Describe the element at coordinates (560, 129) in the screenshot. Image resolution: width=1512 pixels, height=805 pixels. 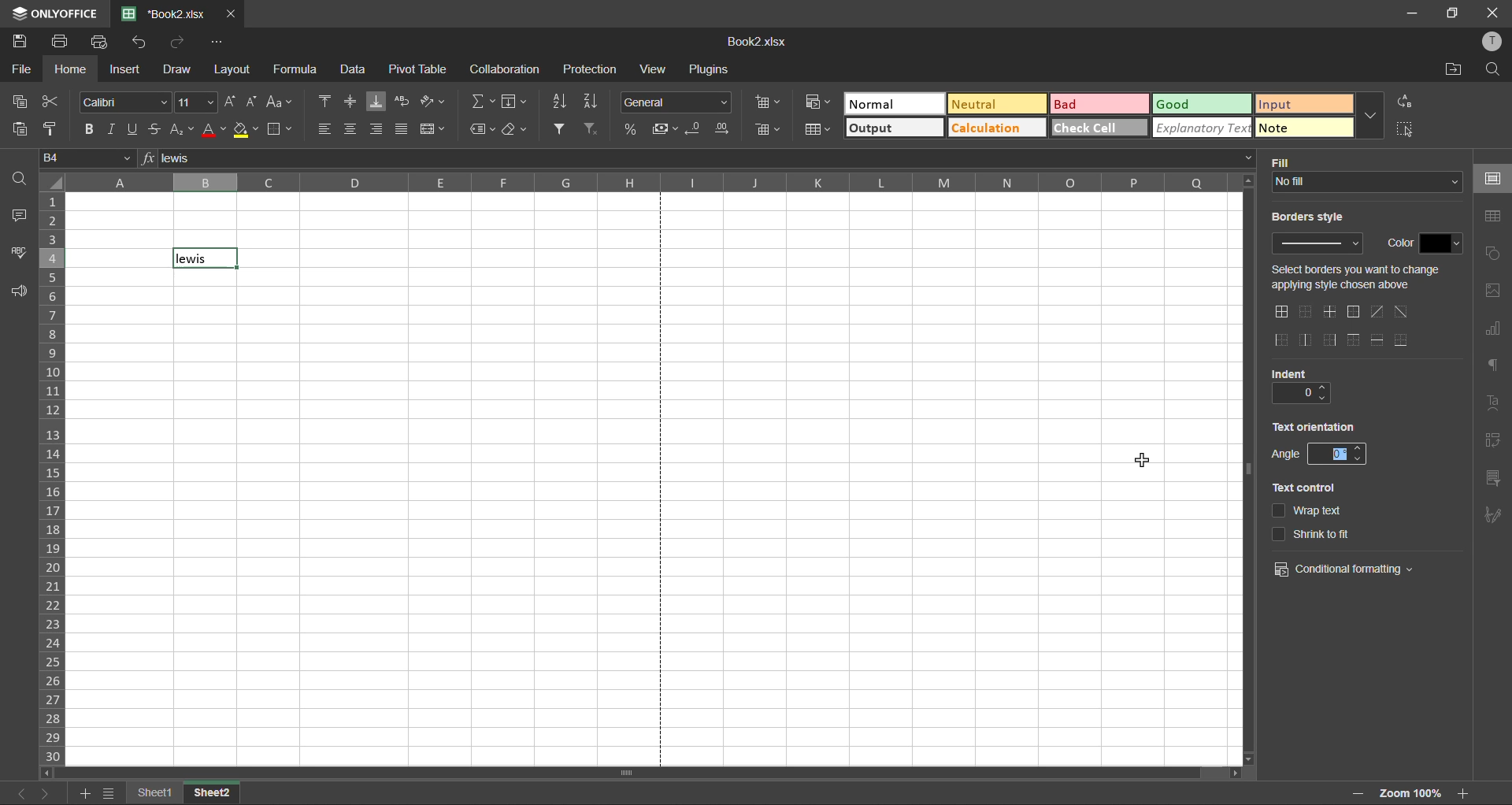
I see `filter` at that location.